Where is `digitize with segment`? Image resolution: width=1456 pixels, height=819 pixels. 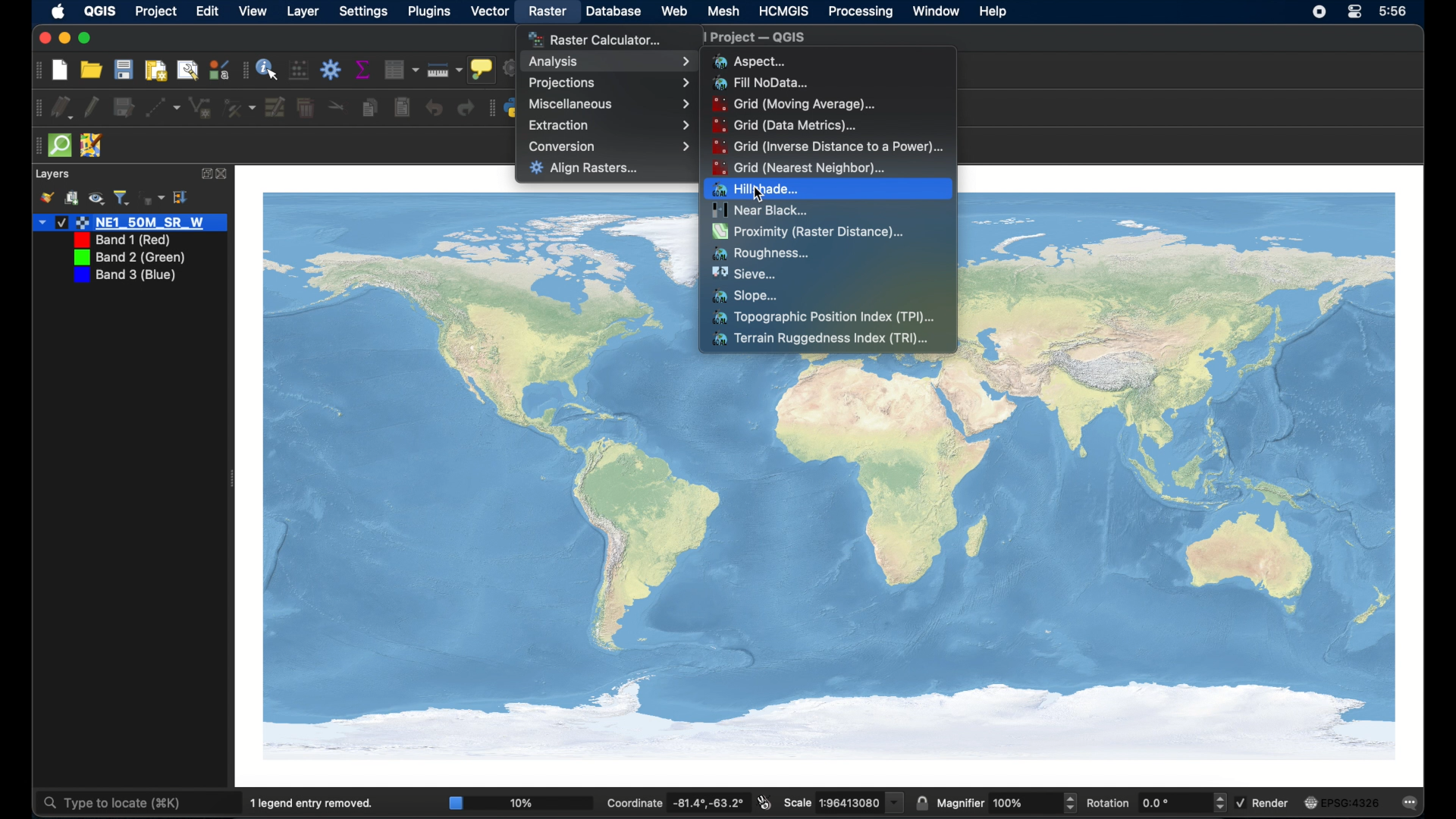 digitize with segment is located at coordinates (163, 108).